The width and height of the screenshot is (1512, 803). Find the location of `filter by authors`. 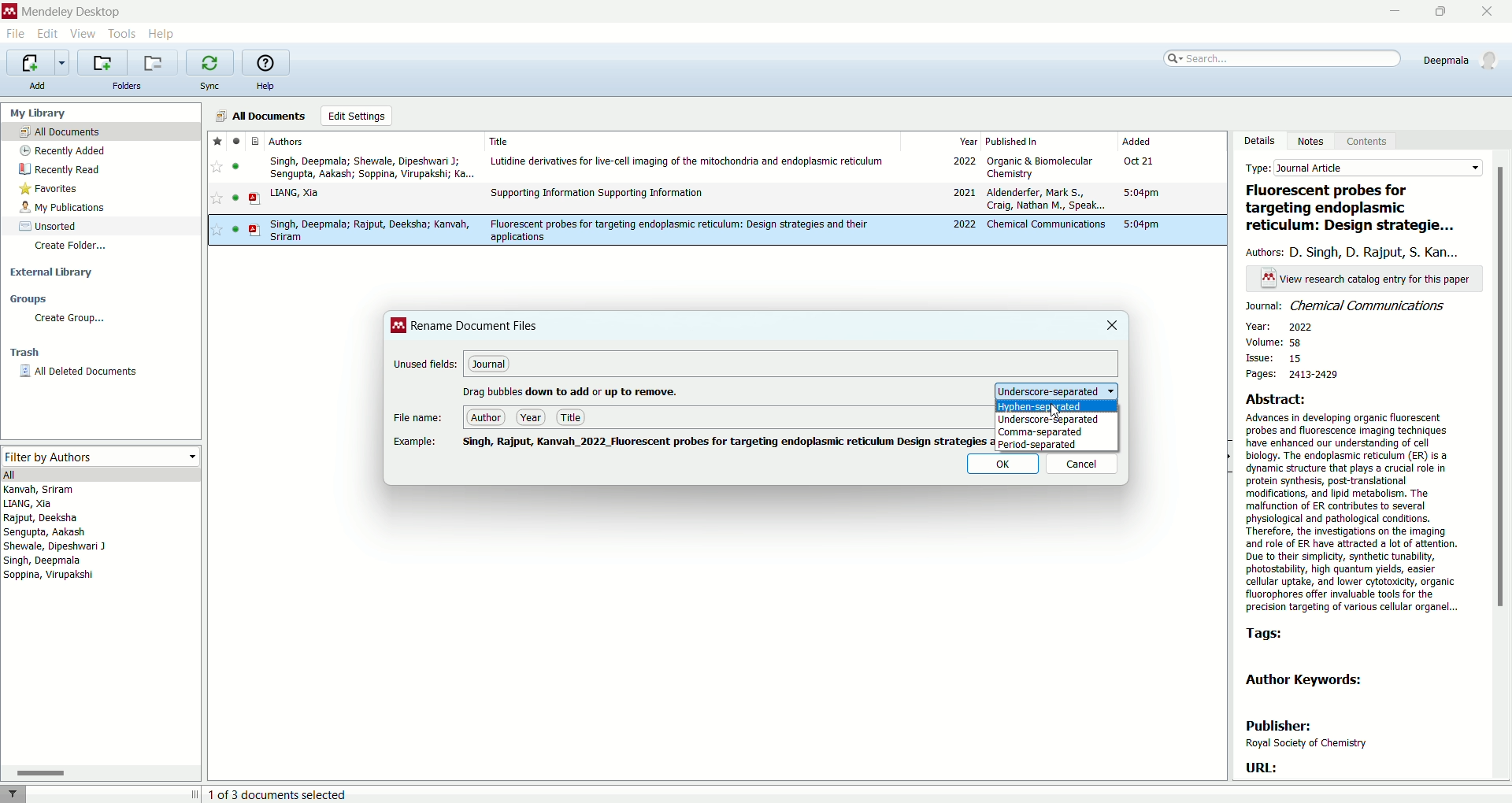

filter by authors is located at coordinates (98, 454).